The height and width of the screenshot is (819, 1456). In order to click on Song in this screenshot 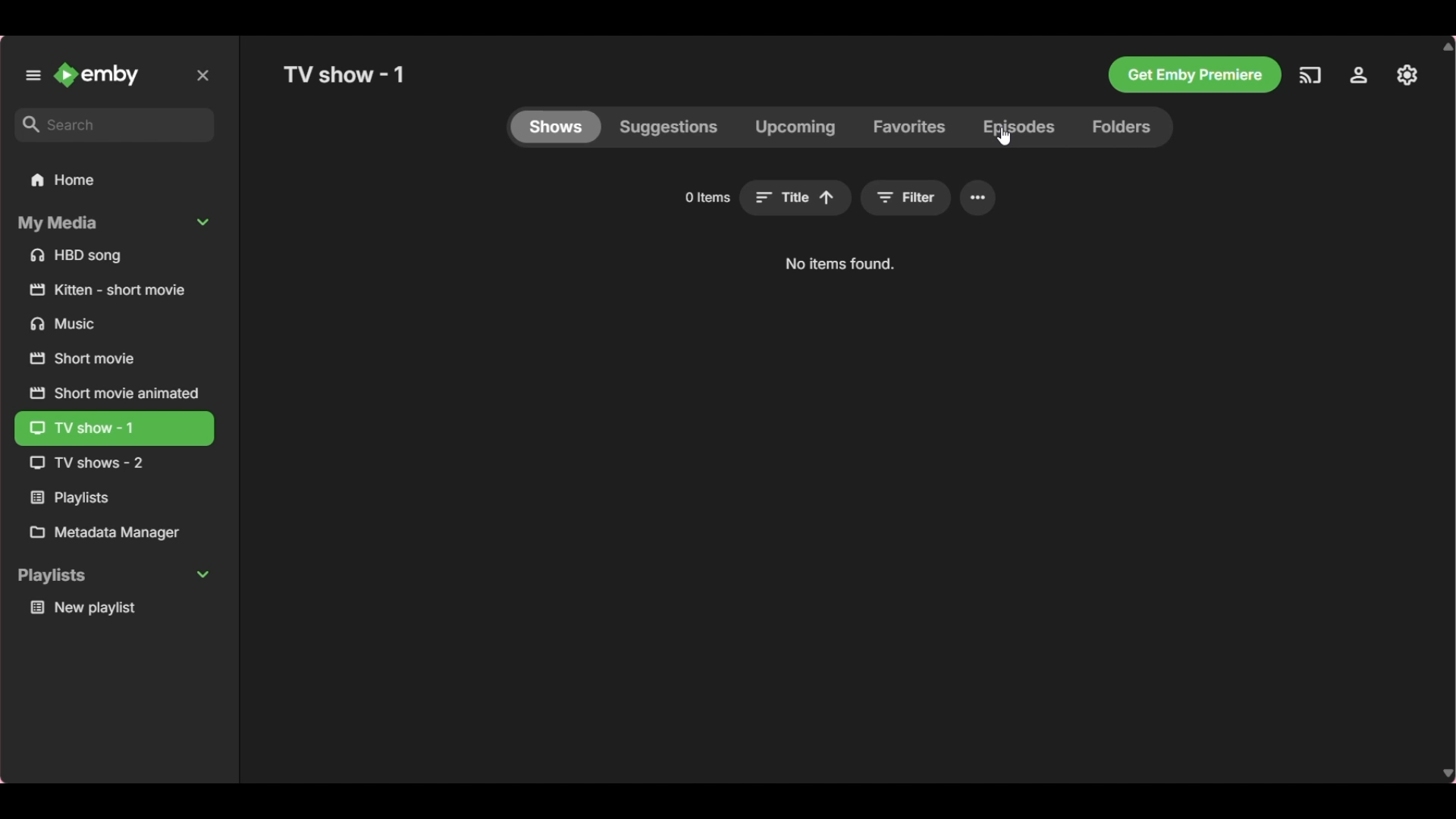, I will do `click(115, 256)`.